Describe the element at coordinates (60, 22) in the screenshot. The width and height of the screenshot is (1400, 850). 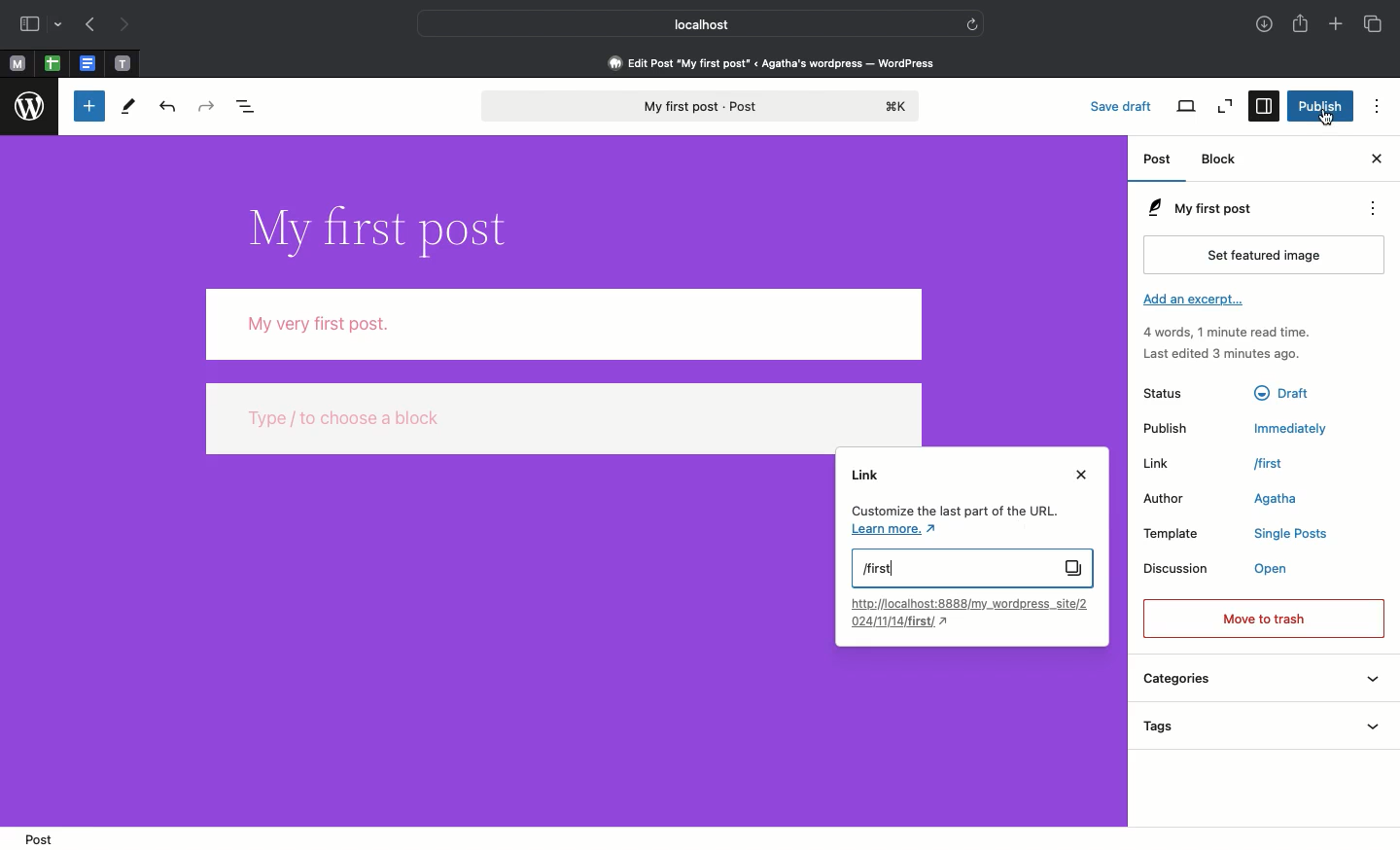
I see `drop-down` at that location.